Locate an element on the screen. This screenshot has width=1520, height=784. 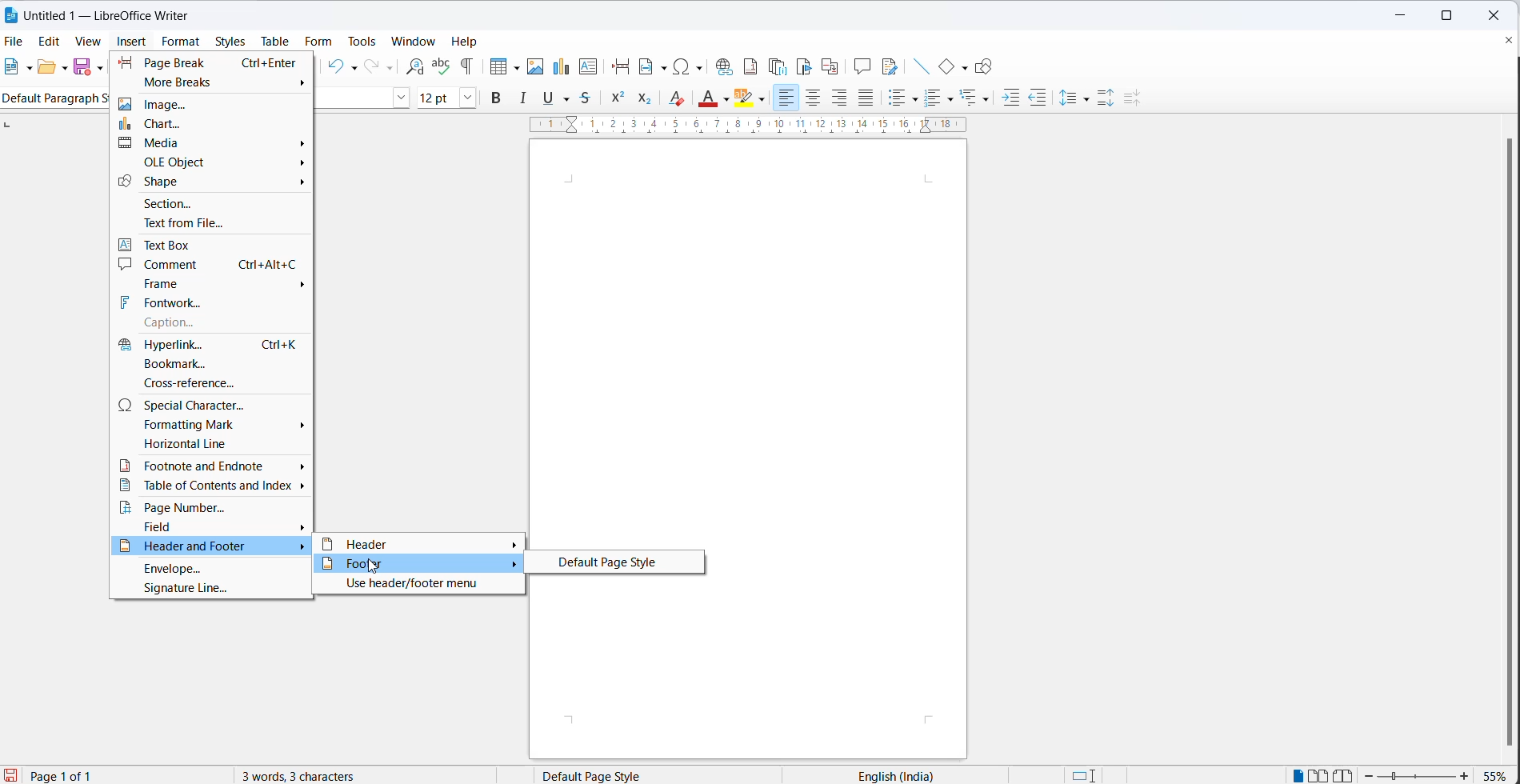
cross-reference is located at coordinates (210, 385).